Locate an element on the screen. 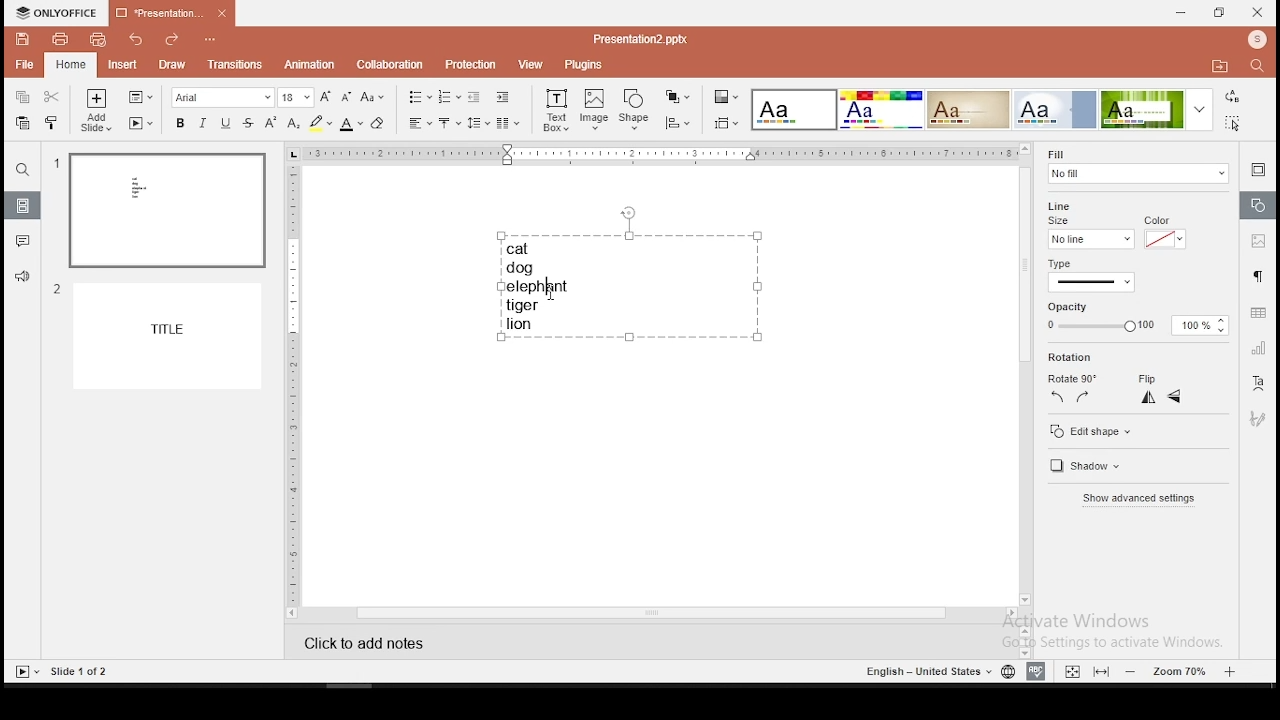 Image resolution: width=1280 pixels, height=720 pixels. slide 2 is located at coordinates (157, 335).